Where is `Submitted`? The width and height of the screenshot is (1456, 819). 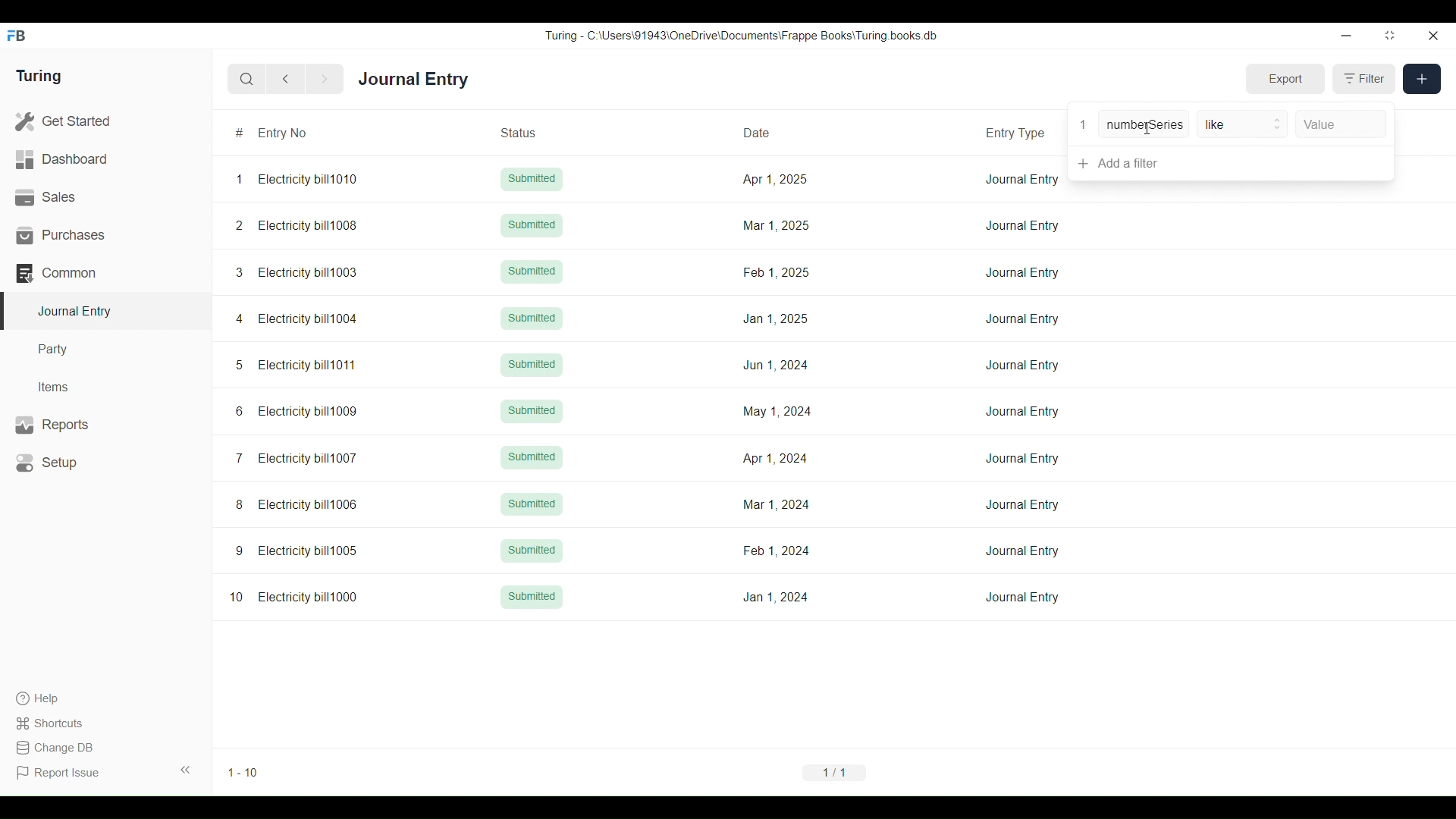 Submitted is located at coordinates (532, 272).